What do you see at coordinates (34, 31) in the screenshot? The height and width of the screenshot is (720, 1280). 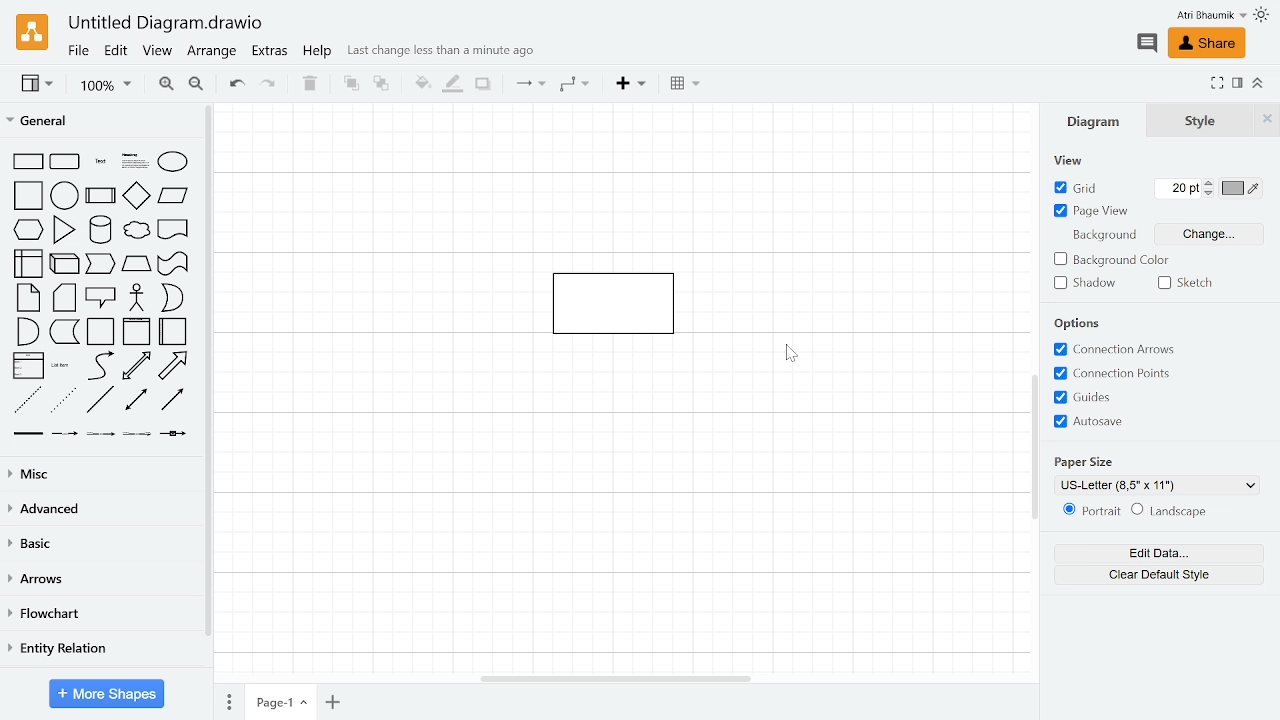 I see `Draw.io logo` at bounding box center [34, 31].